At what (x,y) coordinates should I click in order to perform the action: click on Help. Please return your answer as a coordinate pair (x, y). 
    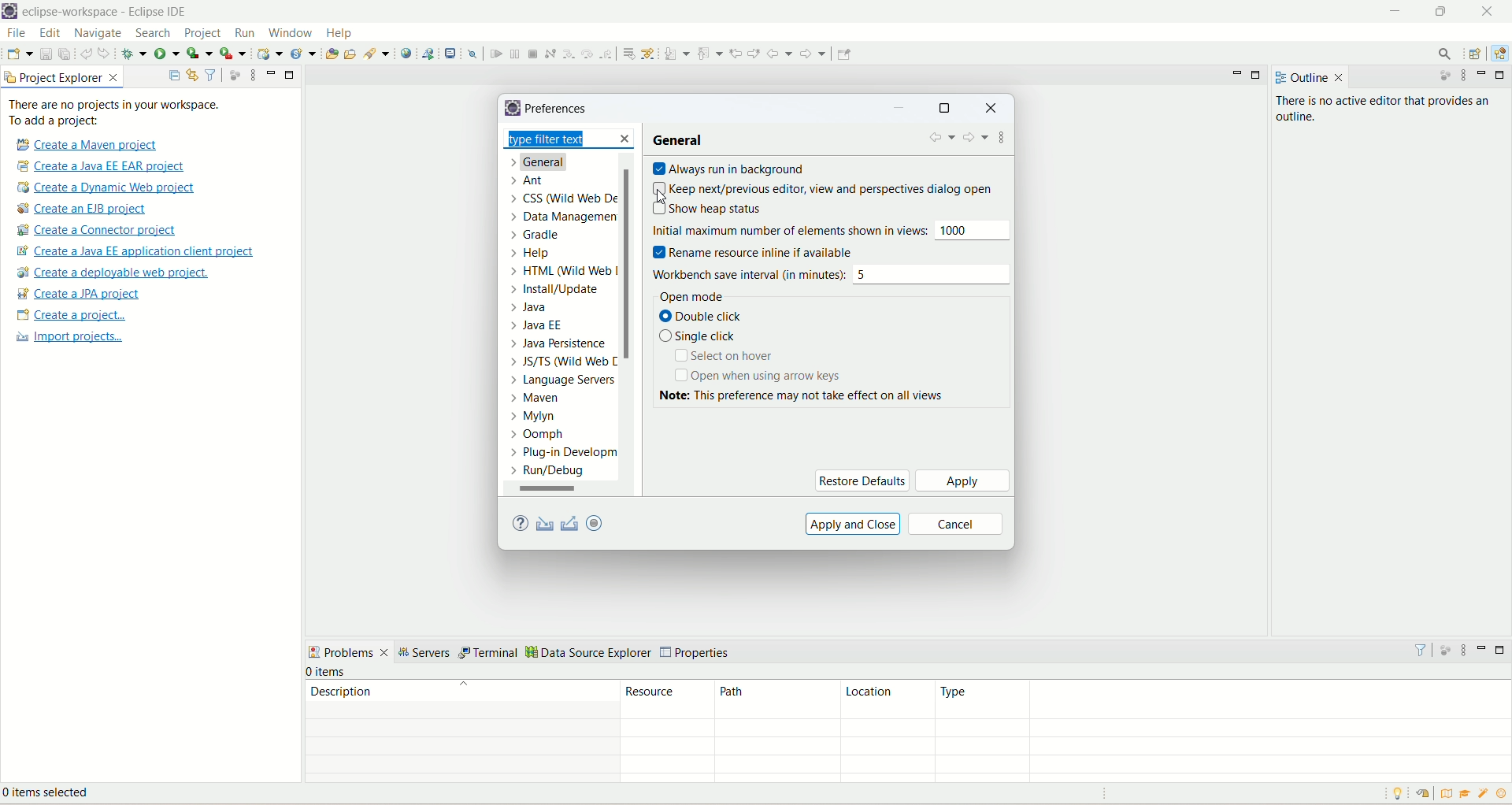
    Looking at the image, I should click on (533, 256).